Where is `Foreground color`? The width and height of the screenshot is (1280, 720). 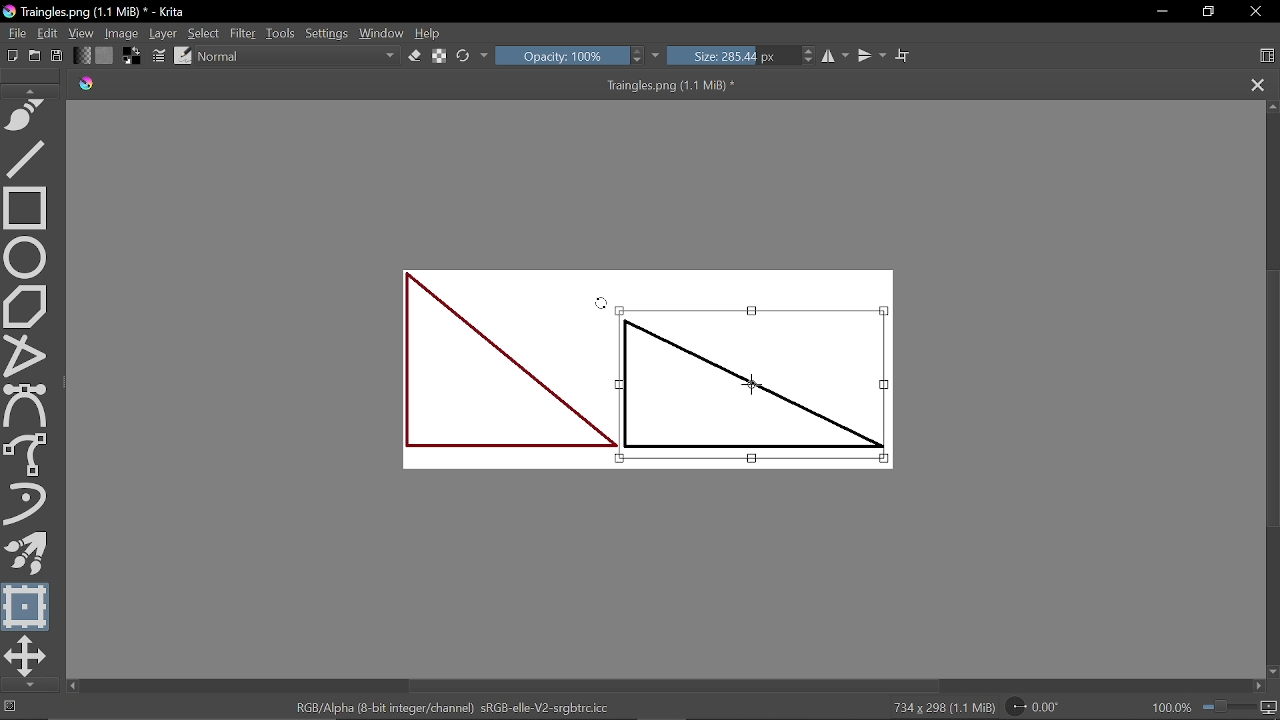 Foreground color is located at coordinates (134, 55).